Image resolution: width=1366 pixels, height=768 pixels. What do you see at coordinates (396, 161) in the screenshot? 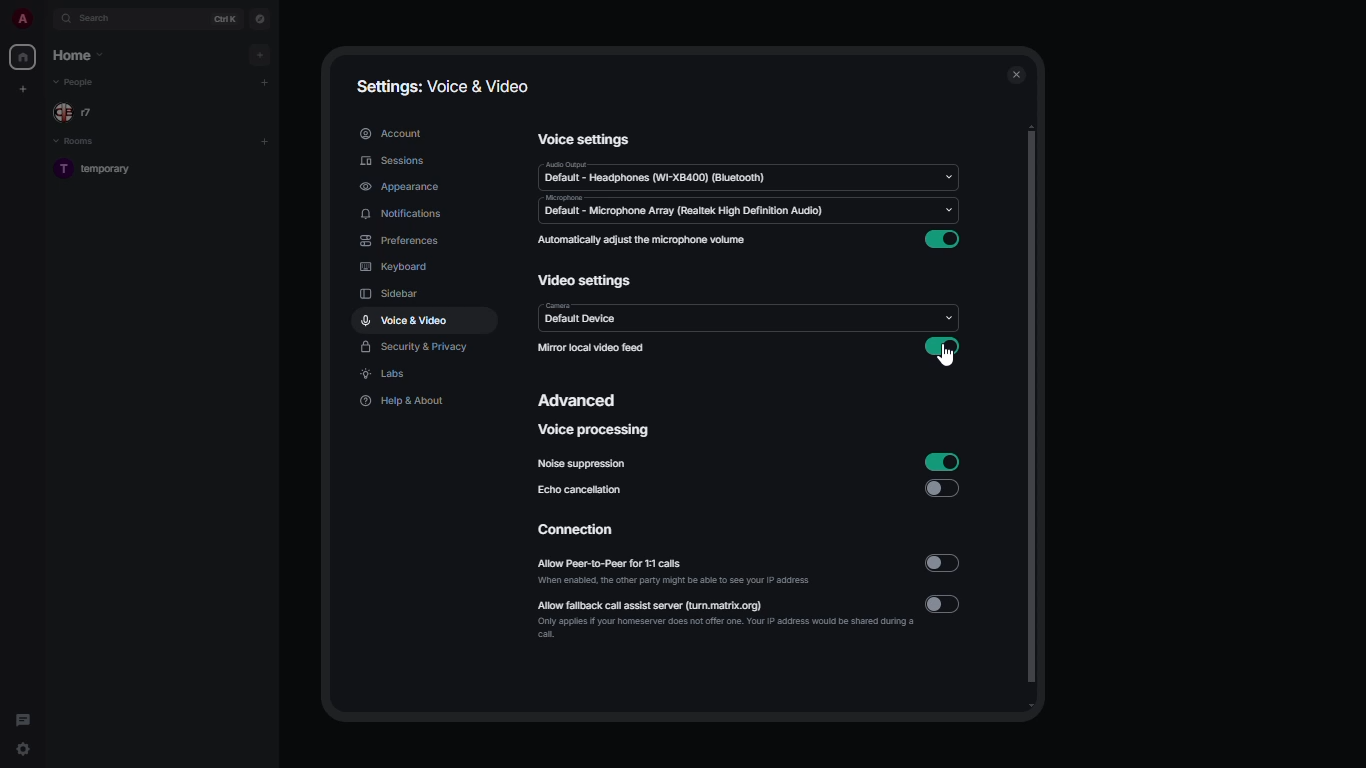
I see `sessions` at bounding box center [396, 161].